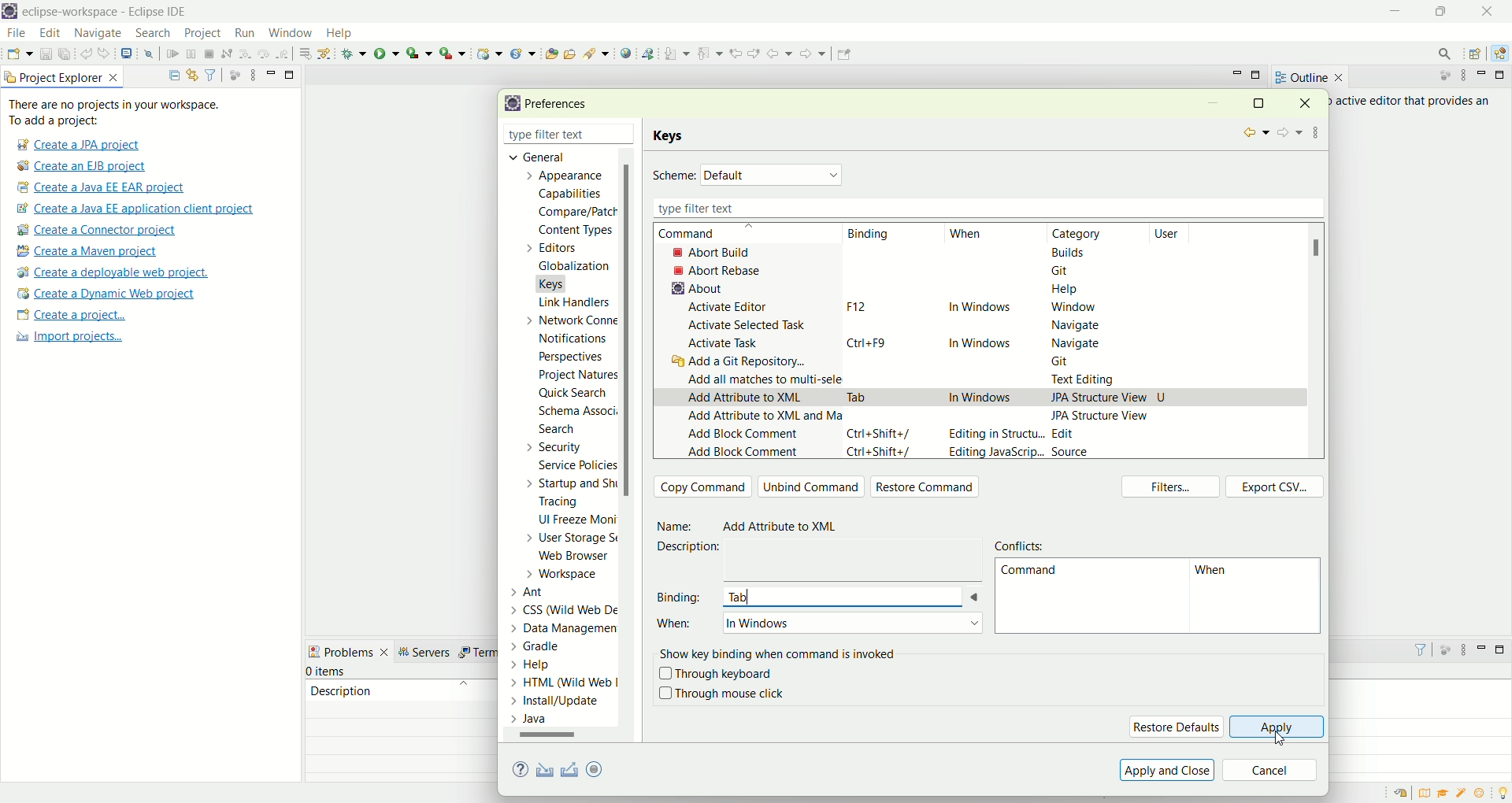 This screenshot has height=803, width=1512. What do you see at coordinates (573, 194) in the screenshot?
I see `capabilities` at bounding box center [573, 194].